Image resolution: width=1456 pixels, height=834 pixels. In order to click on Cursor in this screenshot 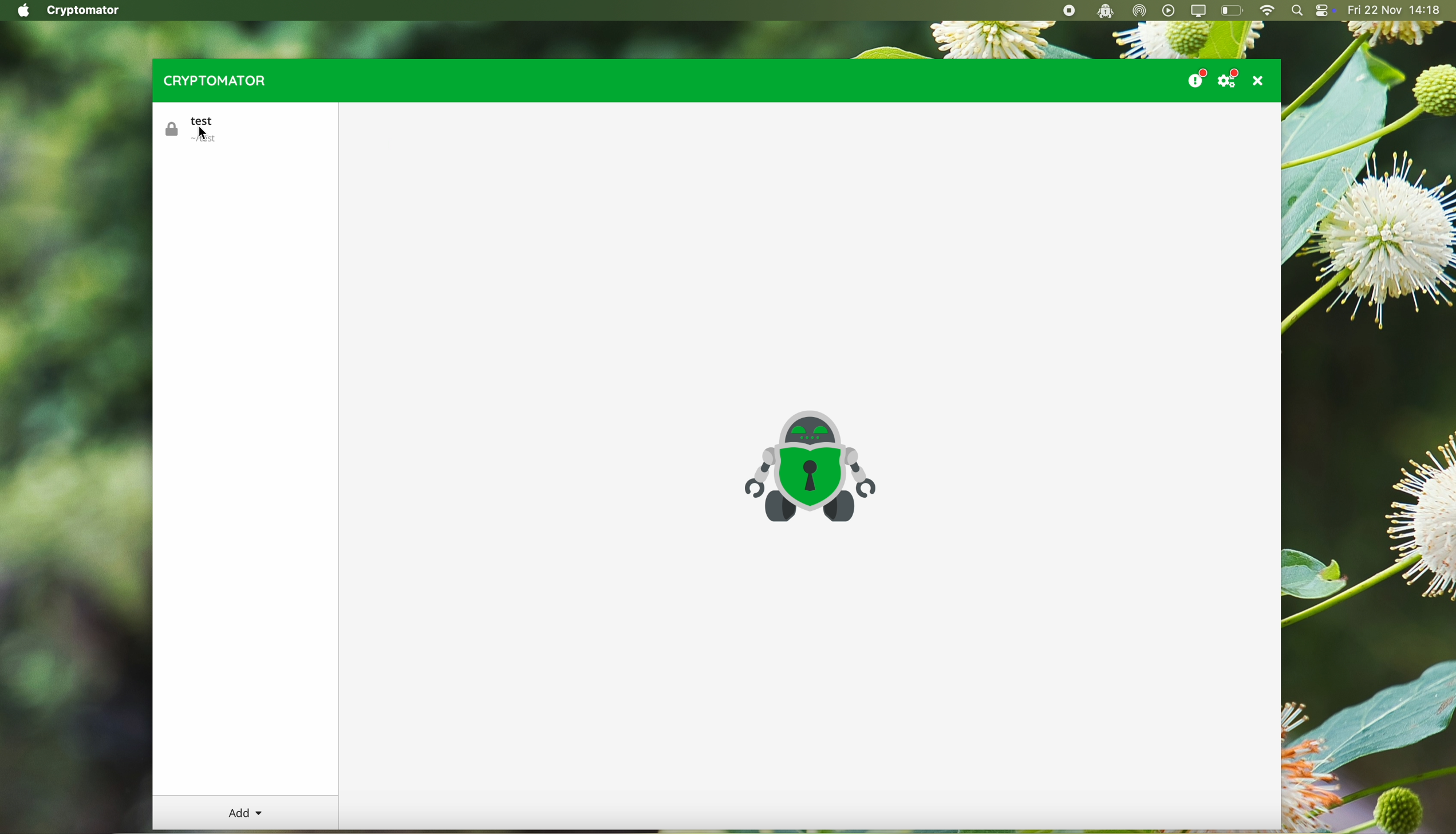, I will do `click(204, 133)`.